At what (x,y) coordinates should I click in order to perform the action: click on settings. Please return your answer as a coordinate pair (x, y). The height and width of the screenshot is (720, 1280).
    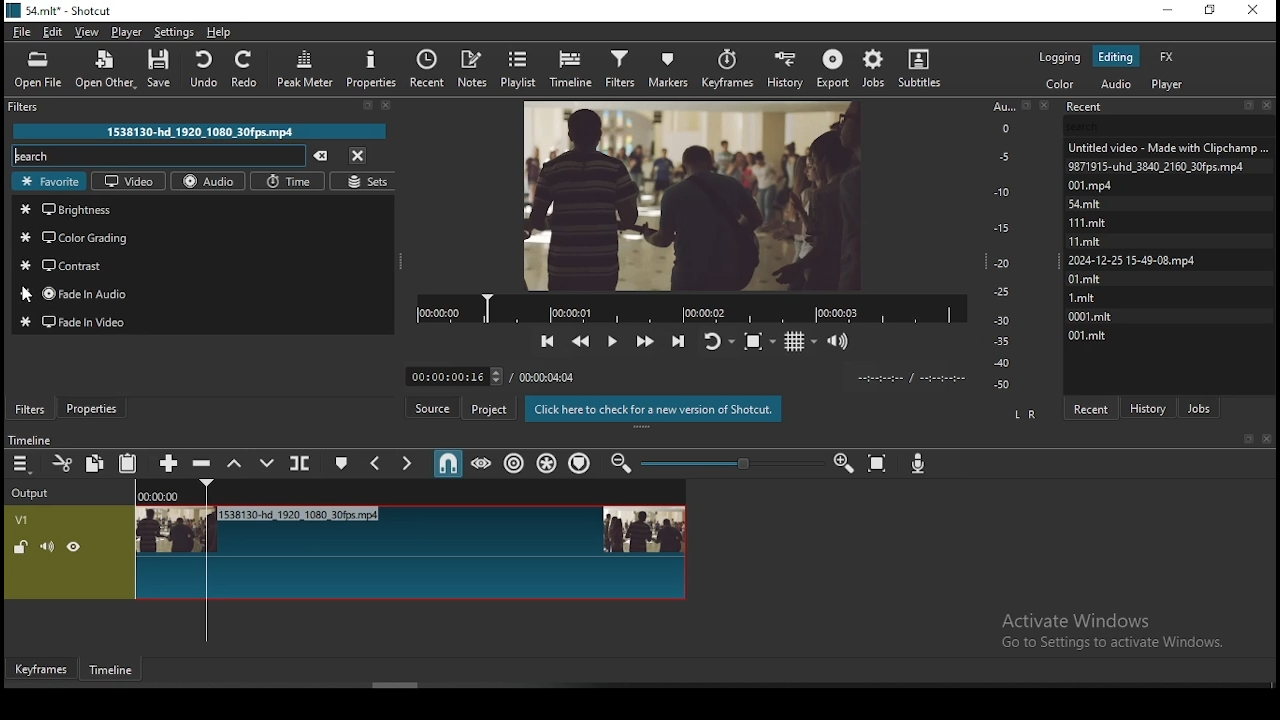
    Looking at the image, I should click on (176, 30).